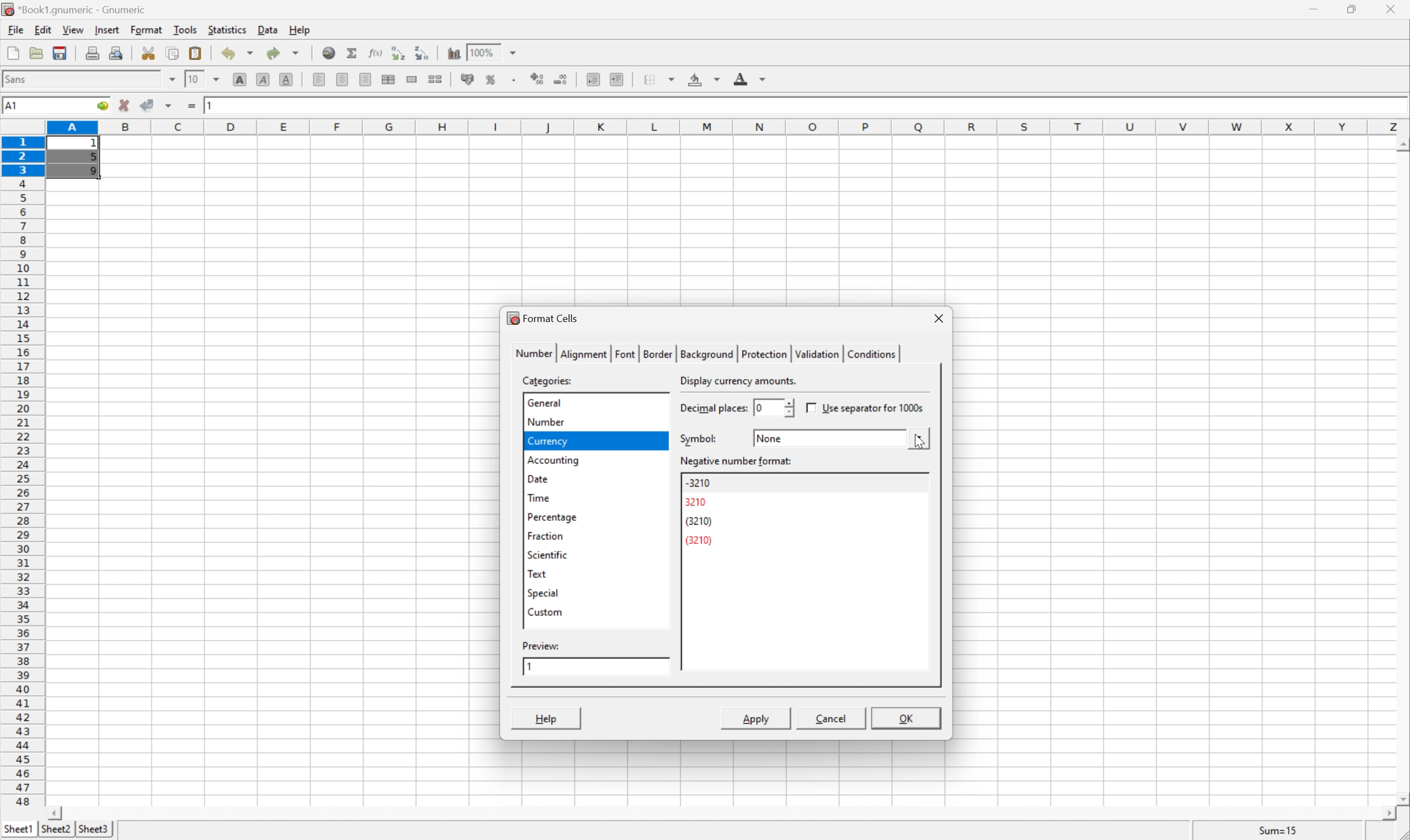 The height and width of the screenshot is (840, 1410). What do you see at coordinates (1278, 830) in the screenshot?
I see `sum=15` at bounding box center [1278, 830].